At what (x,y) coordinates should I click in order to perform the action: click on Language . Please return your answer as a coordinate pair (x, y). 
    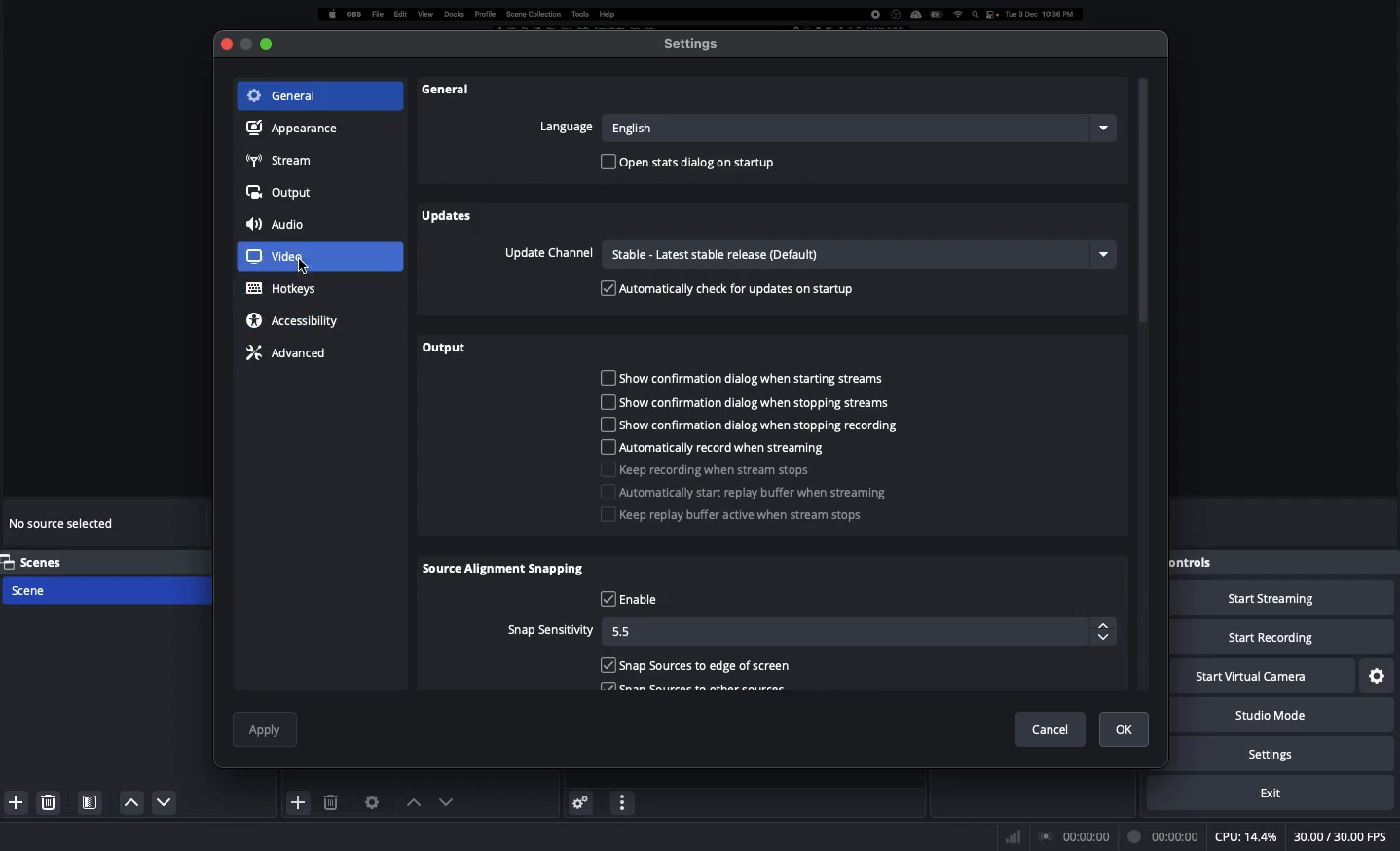
    Looking at the image, I should click on (823, 128).